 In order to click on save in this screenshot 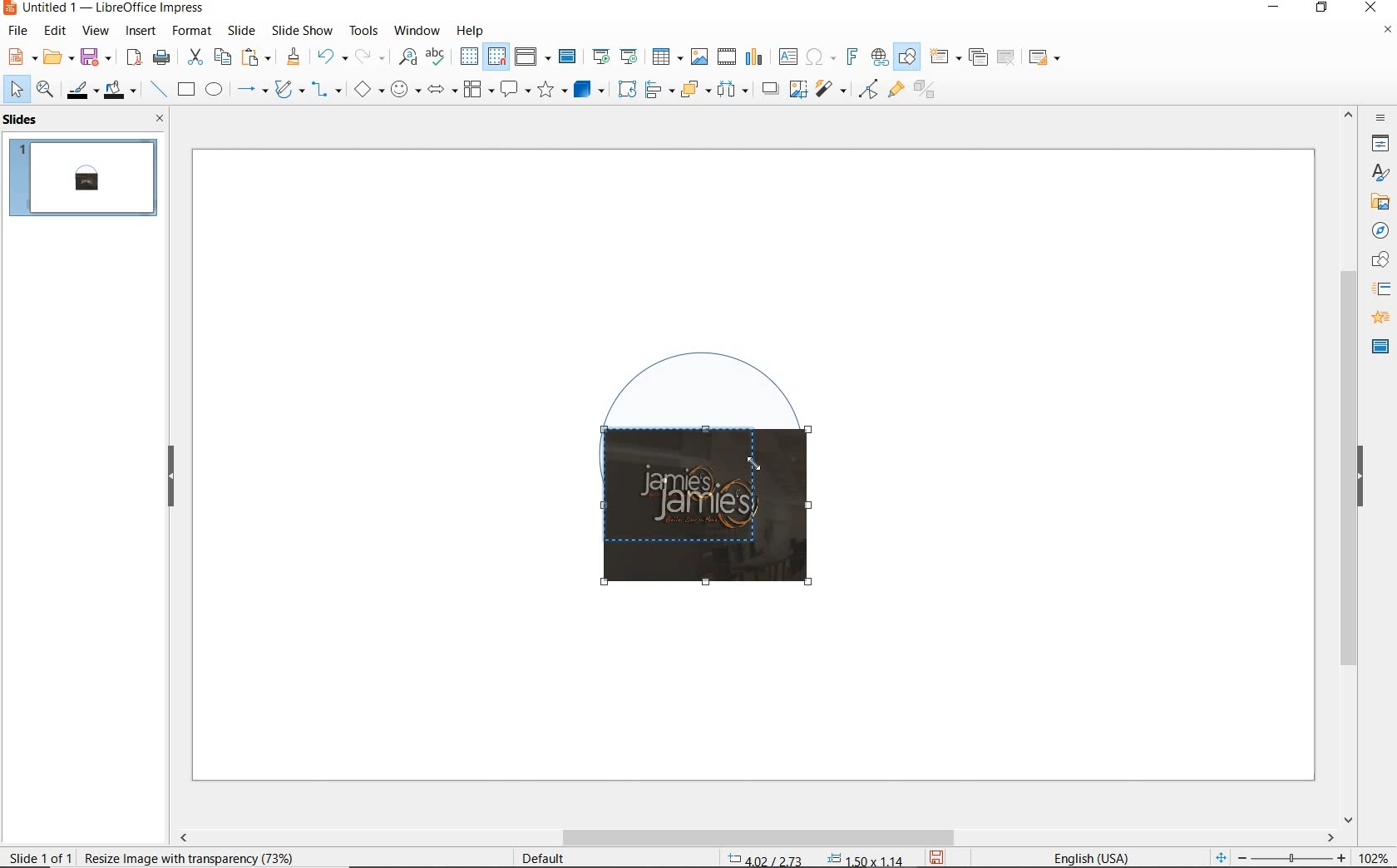, I will do `click(938, 856)`.